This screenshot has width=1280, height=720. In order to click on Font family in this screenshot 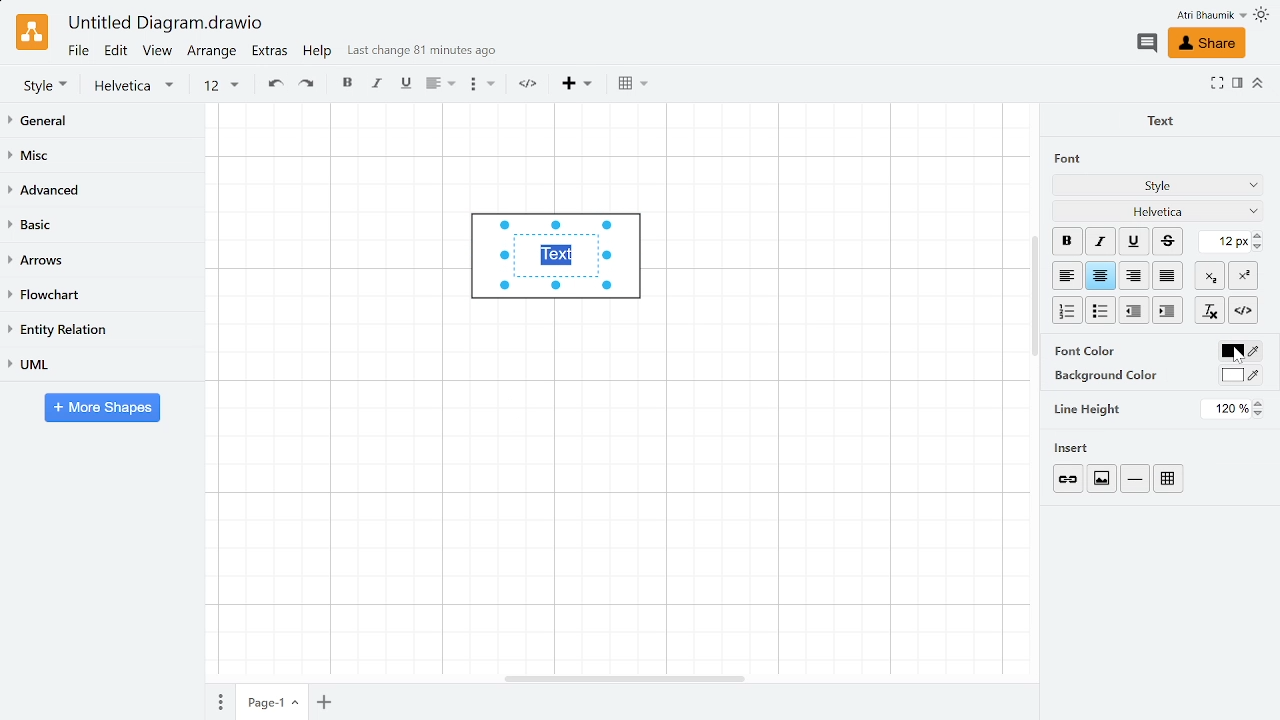, I will do `click(1159, 210)`.